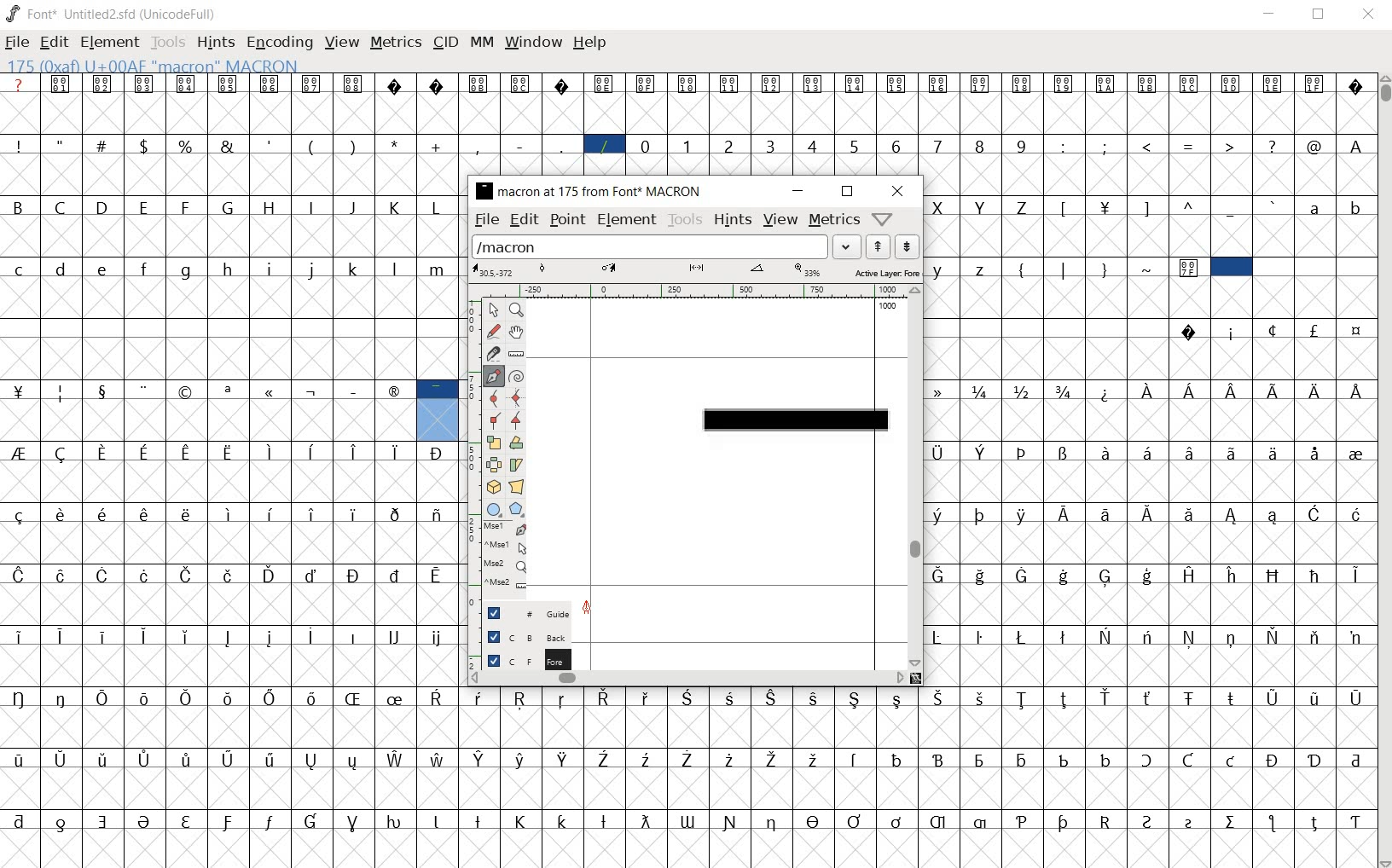 The image size is (1392, 868). What do you see at coordinates (565, 821) in the screenshot?
I see `Symbol` at bounding box center [565, 821].